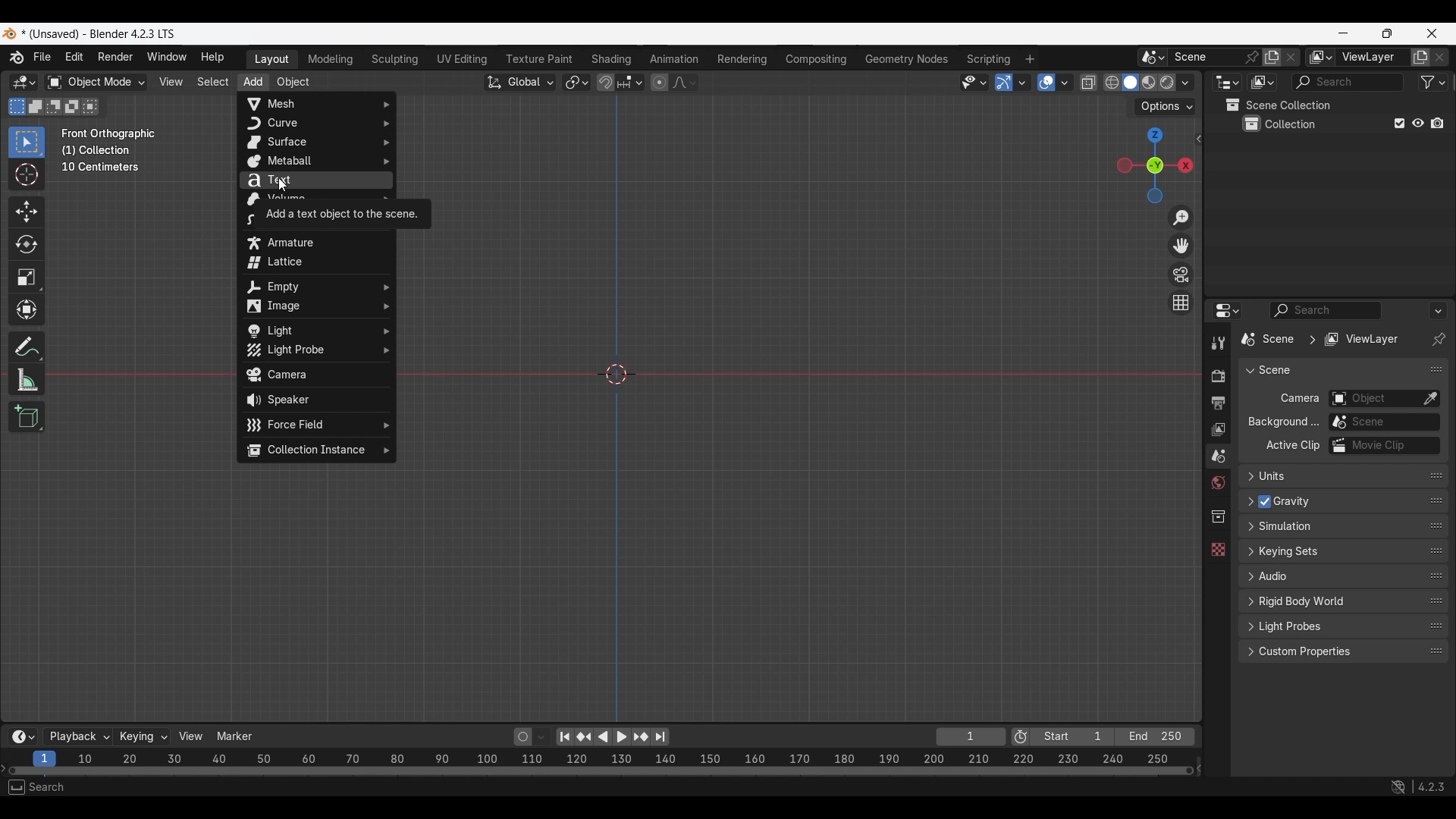 The width and height of the screenshot is (1456, 819). Describe the element at coordinates (1437, 601) in the screenshot. I see `Change order in the list` at that location.